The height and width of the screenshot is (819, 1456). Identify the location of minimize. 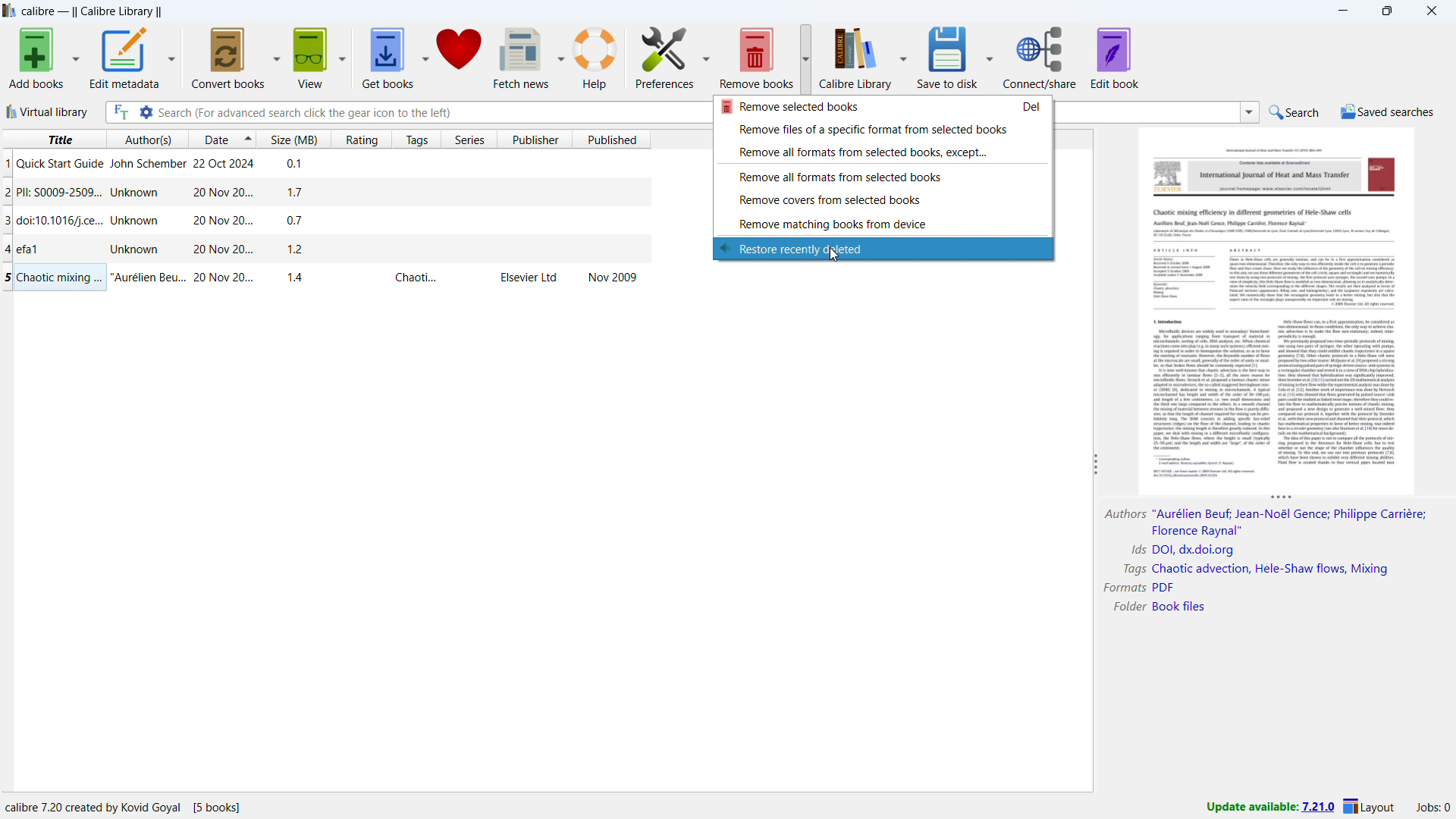
(1342, 11).